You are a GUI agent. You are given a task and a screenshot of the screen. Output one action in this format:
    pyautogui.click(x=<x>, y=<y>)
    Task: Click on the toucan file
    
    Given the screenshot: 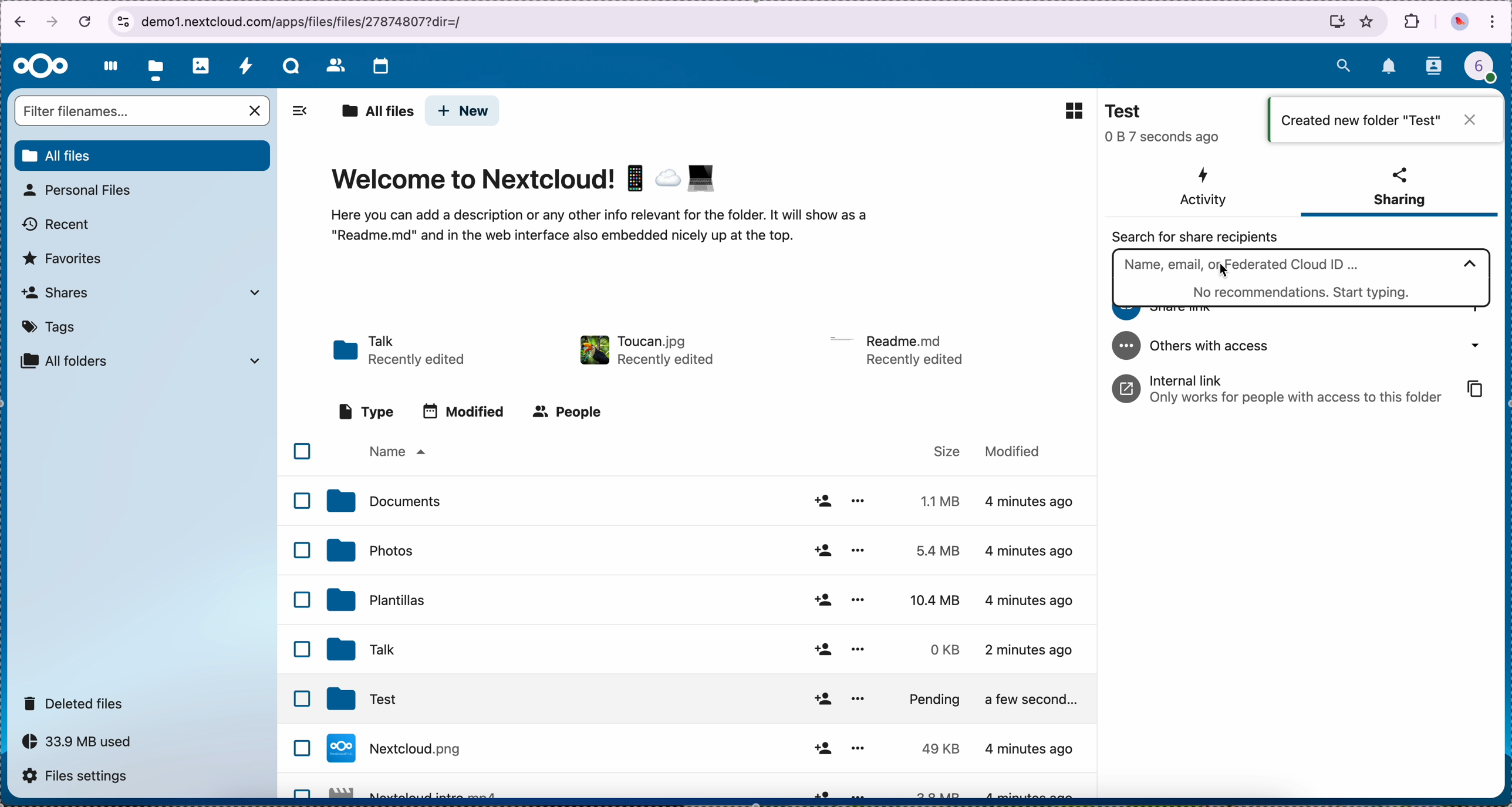 What is the action you would take?
    pyautogui.click(x=645, y=347)
    